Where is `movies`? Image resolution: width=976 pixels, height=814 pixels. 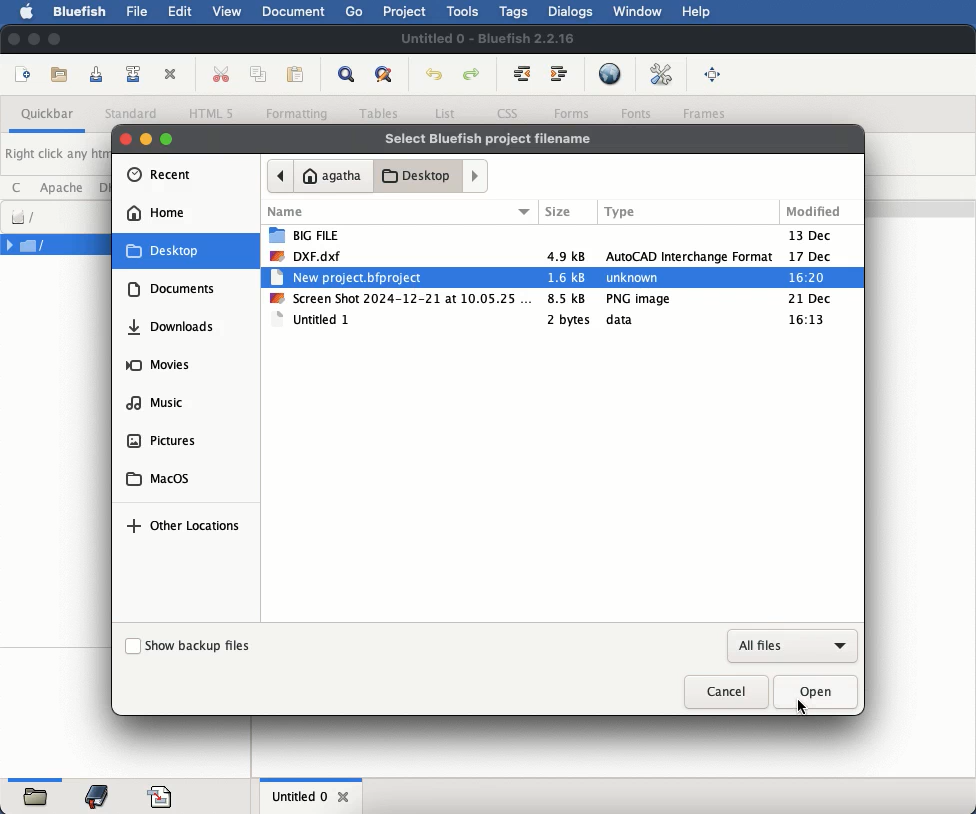 movies is located at coordinates (157, 367).